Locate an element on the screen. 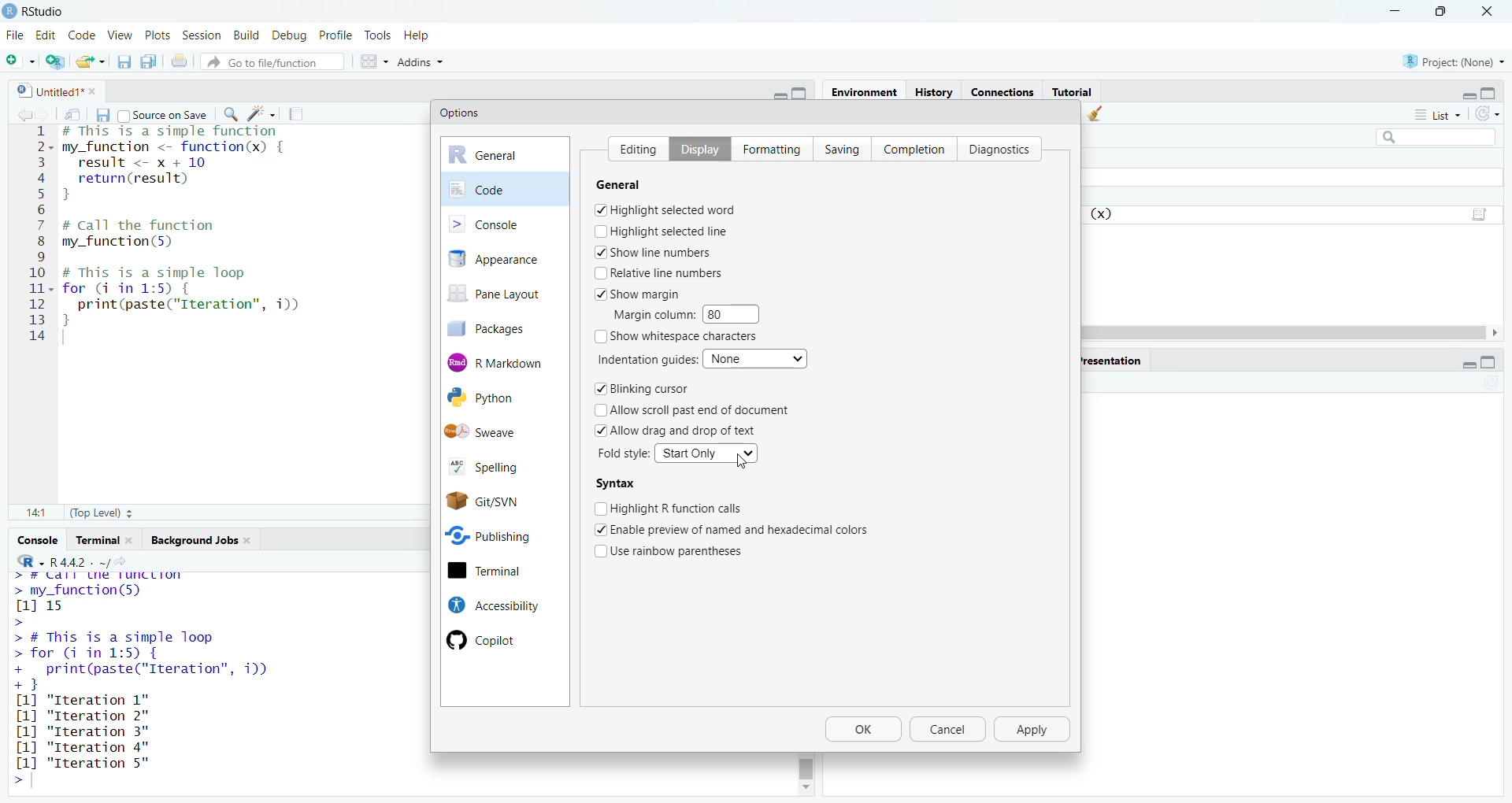 The image size is (1512, 803). clear objects from the workspace is located at coordinates (1098, 115).